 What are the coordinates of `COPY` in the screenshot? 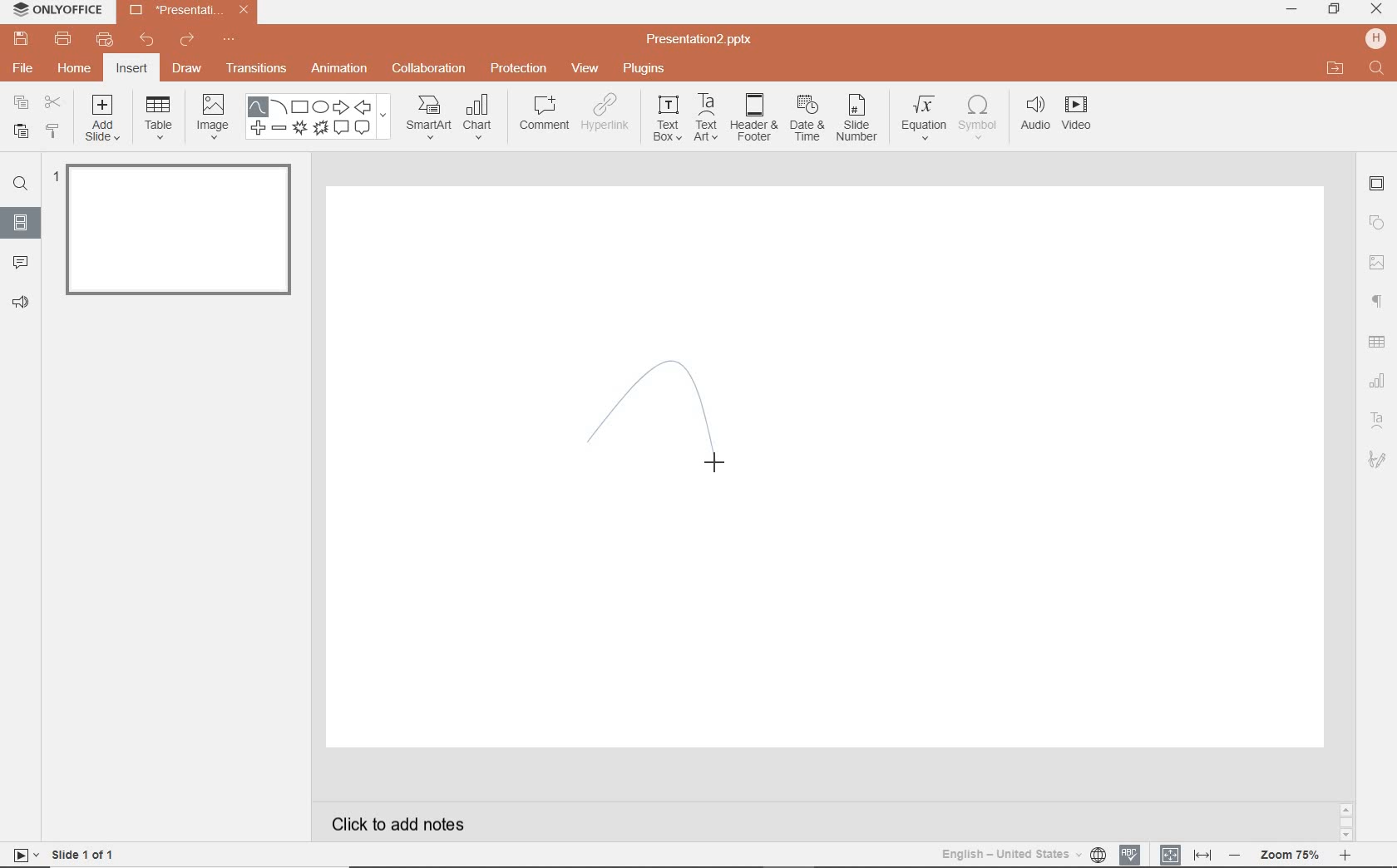 It's located at (17, 102).